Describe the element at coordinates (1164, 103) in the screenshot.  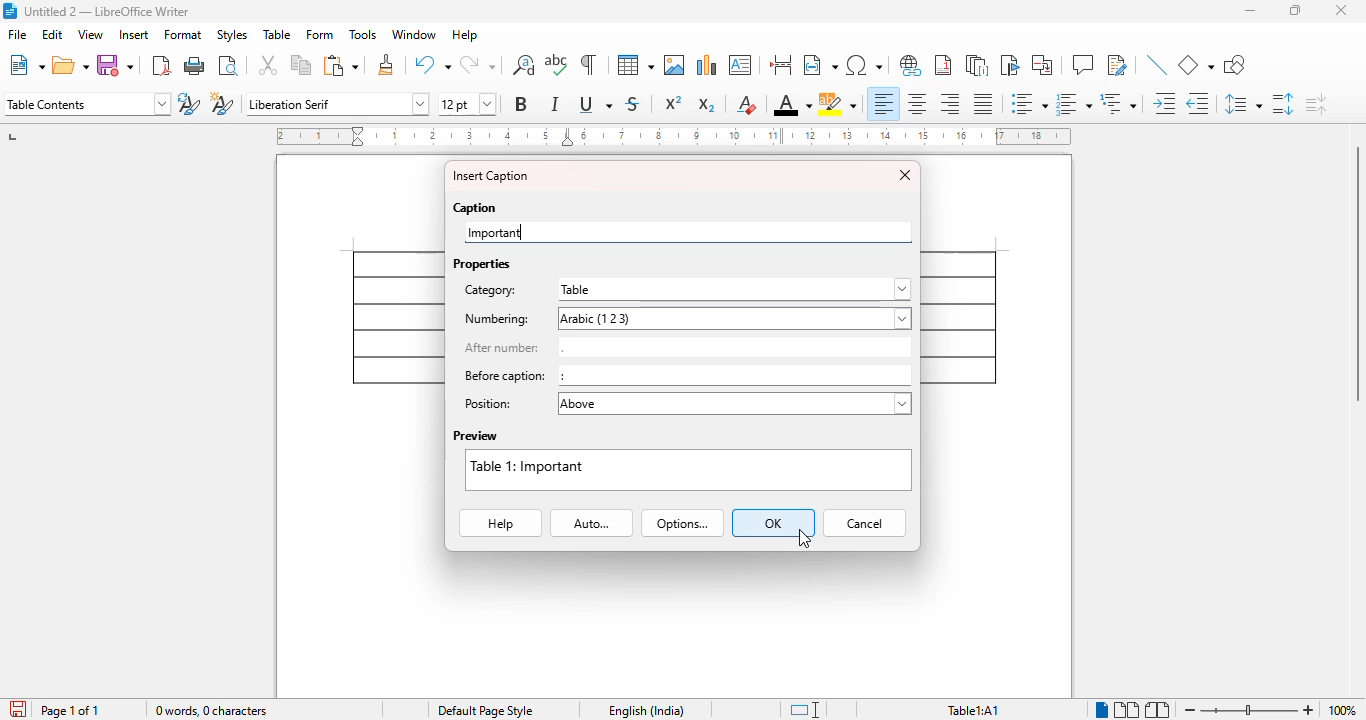
I see `increase indent` at that location.